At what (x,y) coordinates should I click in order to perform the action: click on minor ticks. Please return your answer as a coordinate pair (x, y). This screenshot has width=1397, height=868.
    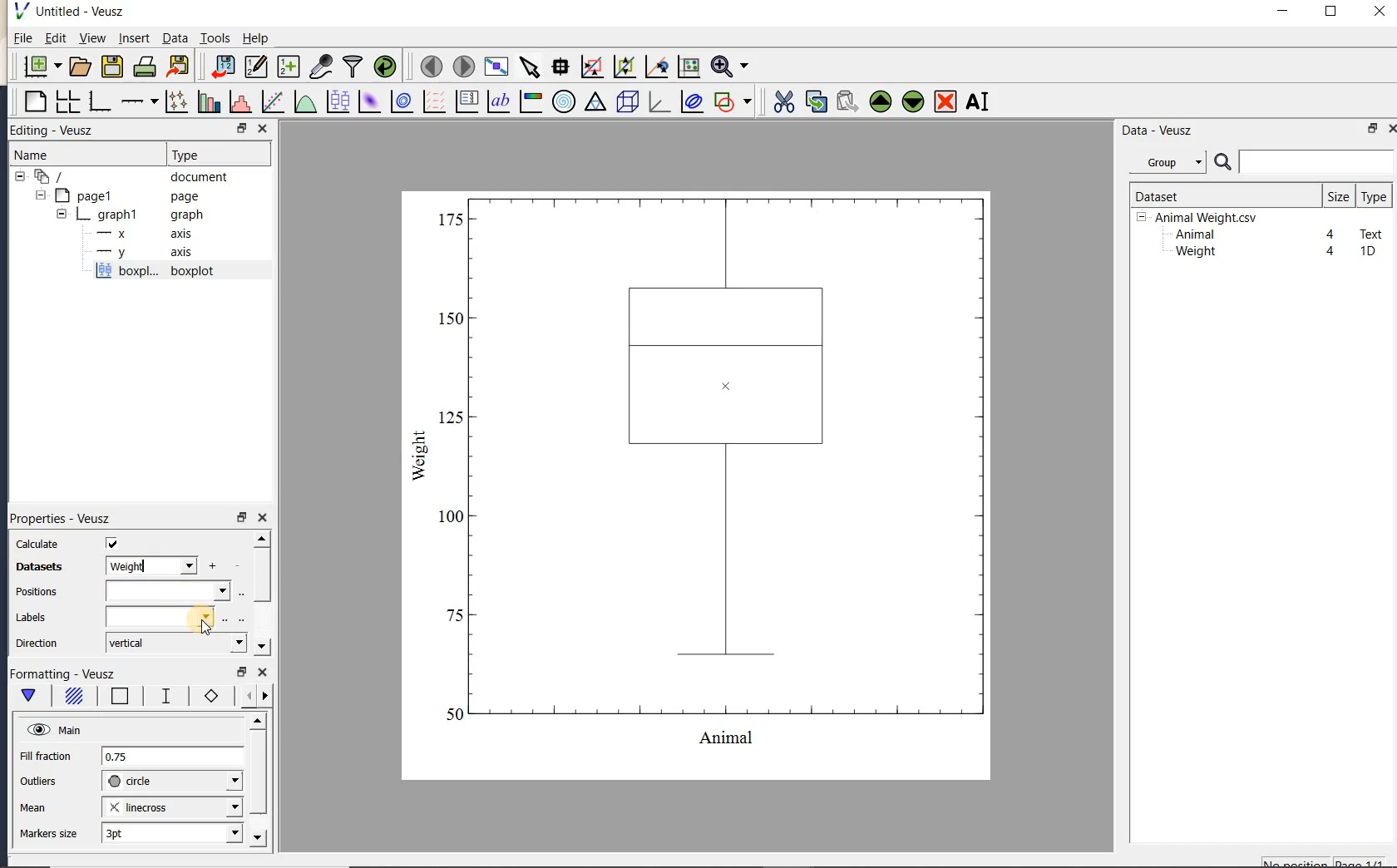
    Looking at the image, I should click on (251, 696).